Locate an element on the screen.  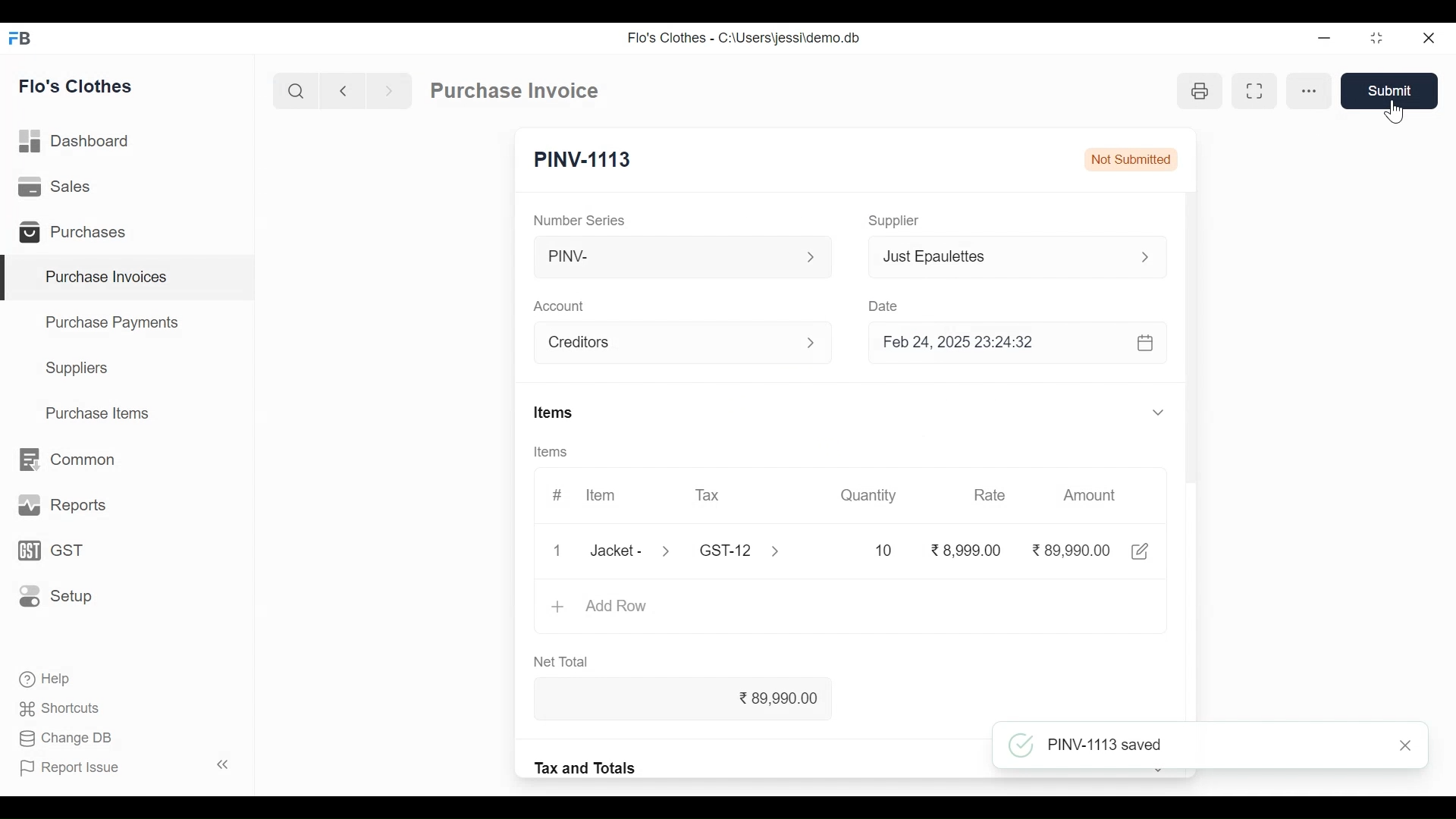
Close is located at coordinates (1407, 746).